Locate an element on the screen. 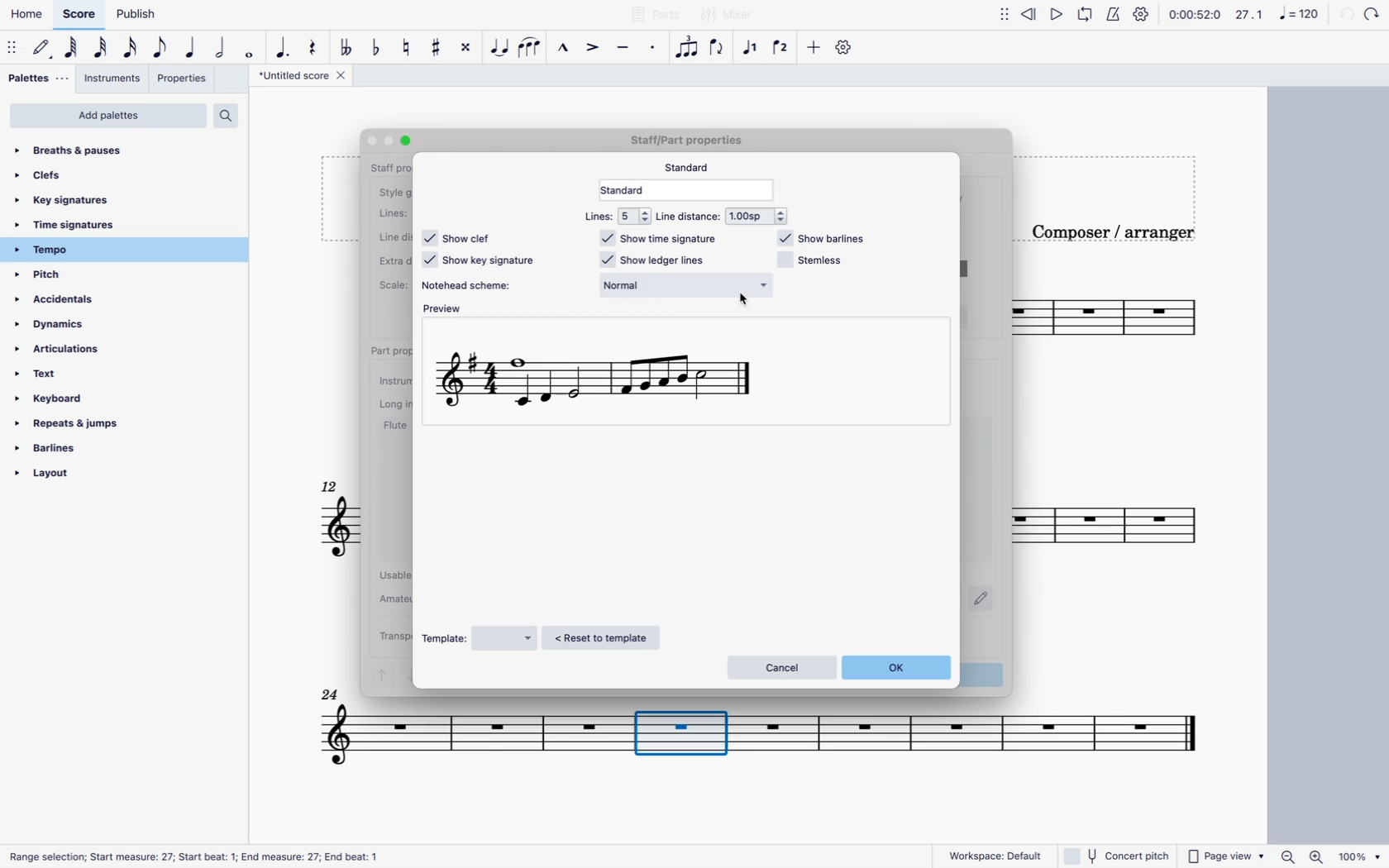 Image resolution: width=1389 pixels, height=868 pixels. show barlines is located at coordinates (823, 239).